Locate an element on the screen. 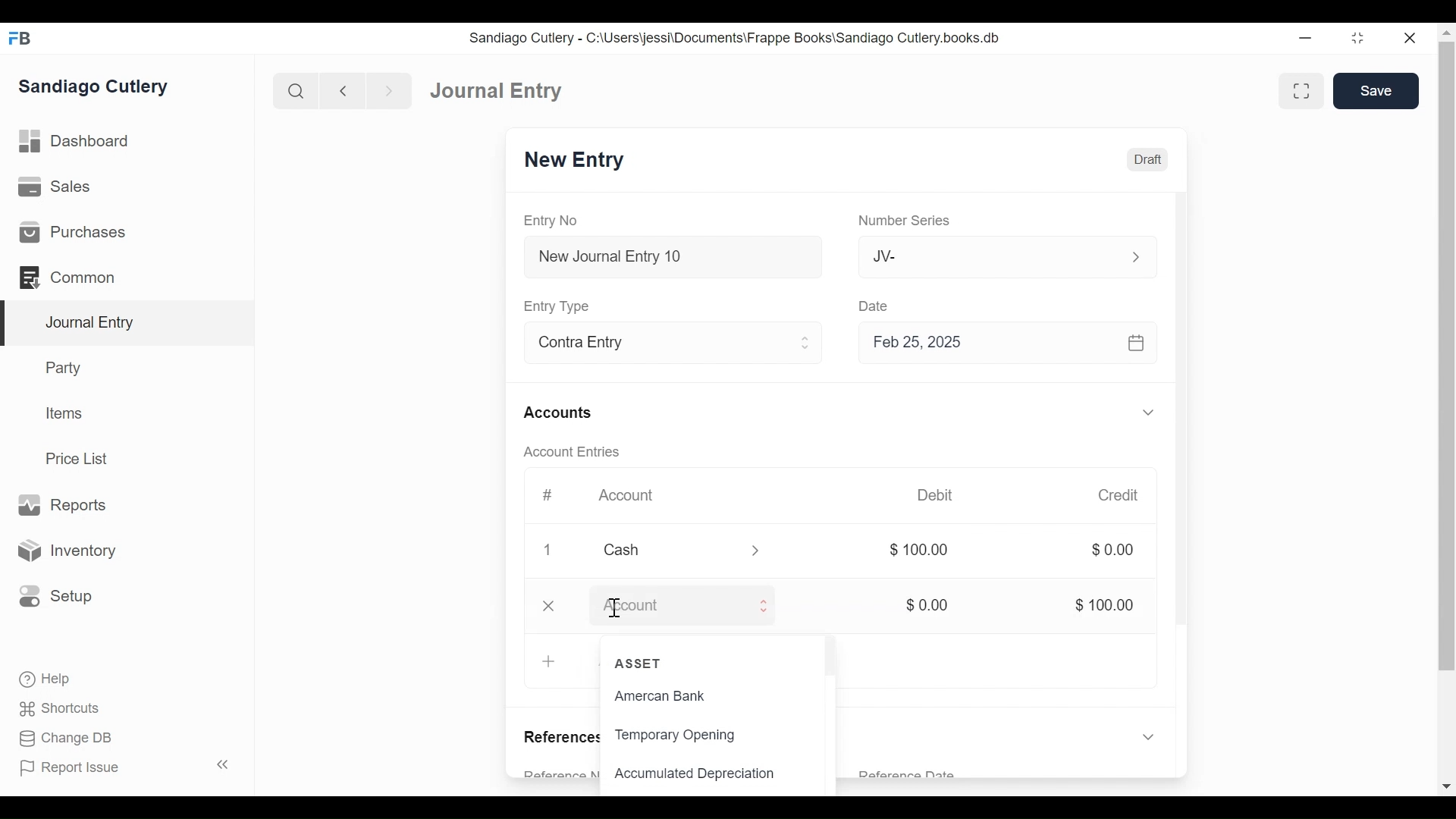 This screenshot has width=1456, height=819. Expand is located at coordinates (806, 344).